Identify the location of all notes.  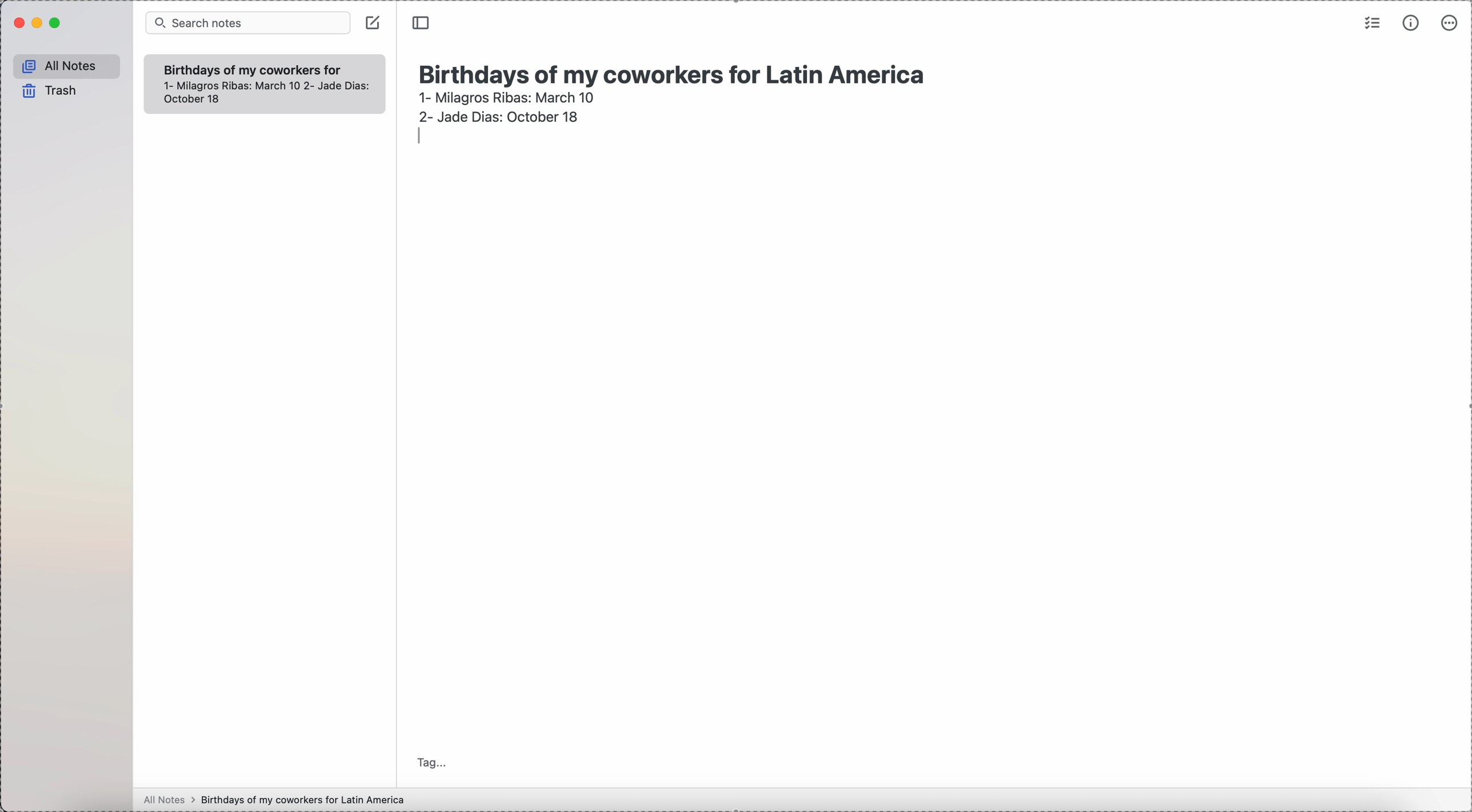
(67, 67).